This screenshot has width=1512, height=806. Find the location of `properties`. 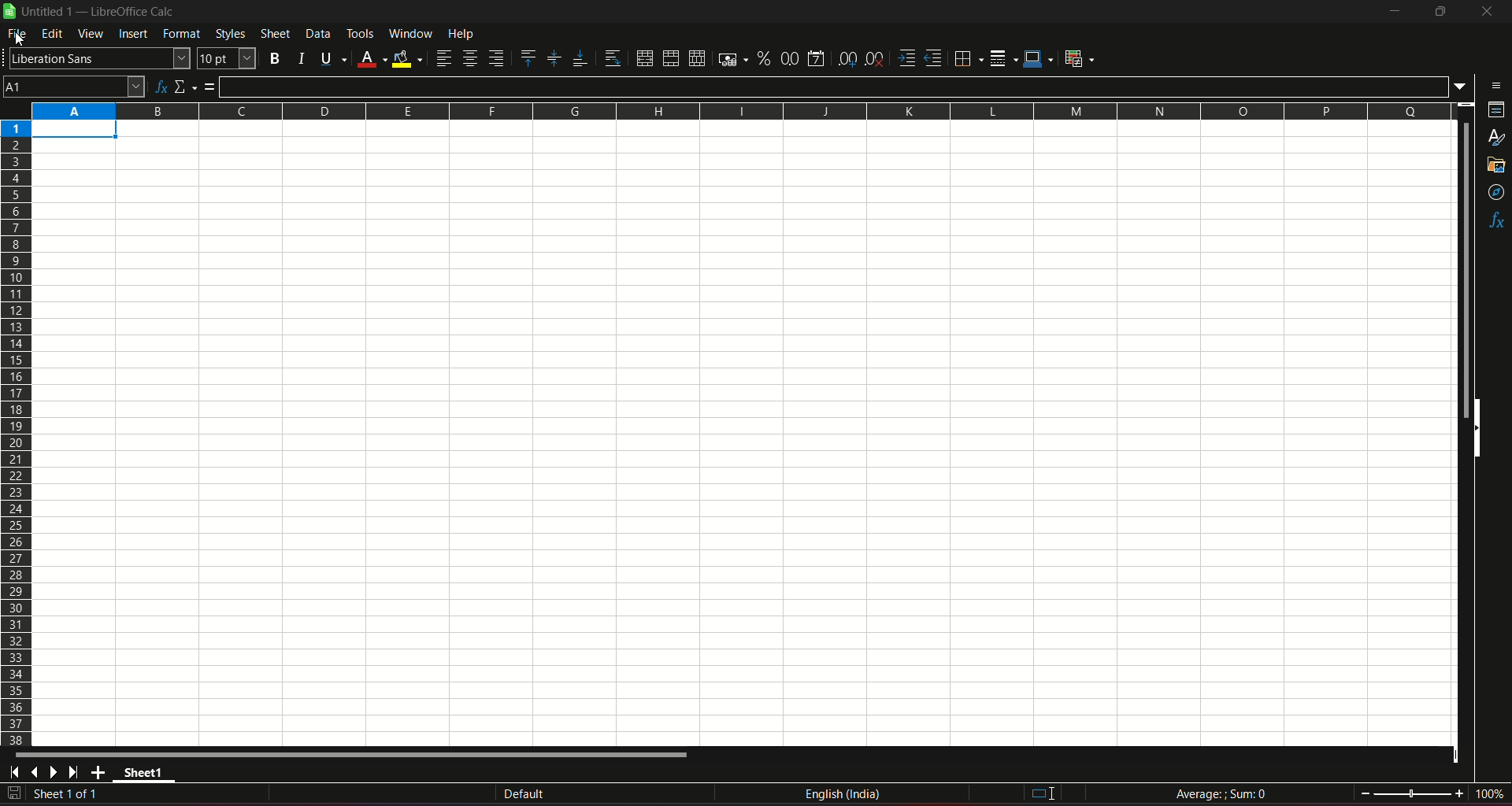

properties is located at coordinates (1494, 112).